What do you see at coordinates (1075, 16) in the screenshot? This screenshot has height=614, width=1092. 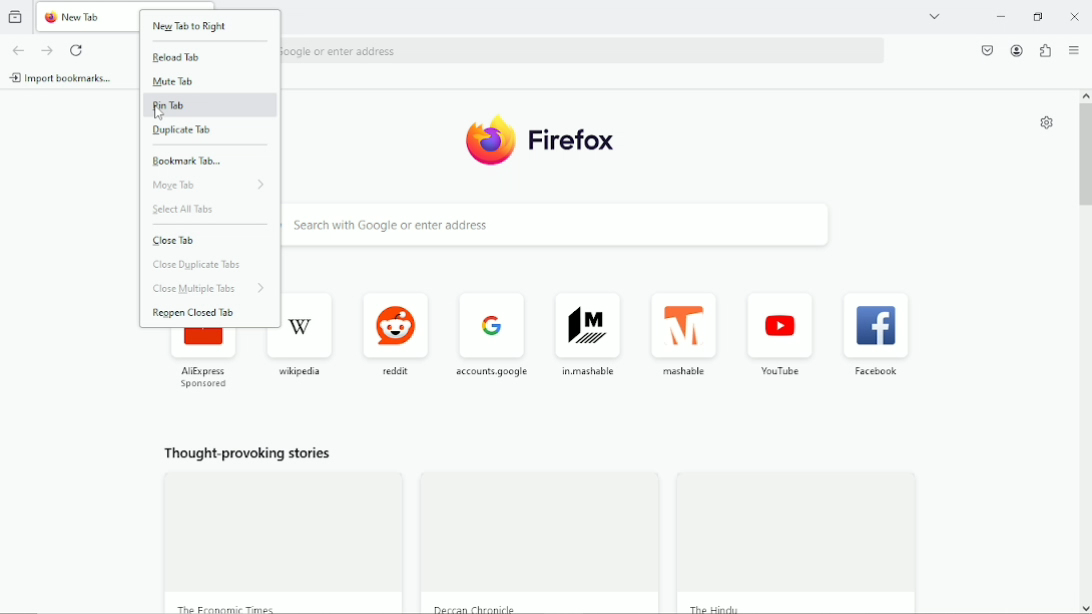 I see `Close` at bounding box center [1075, 16].